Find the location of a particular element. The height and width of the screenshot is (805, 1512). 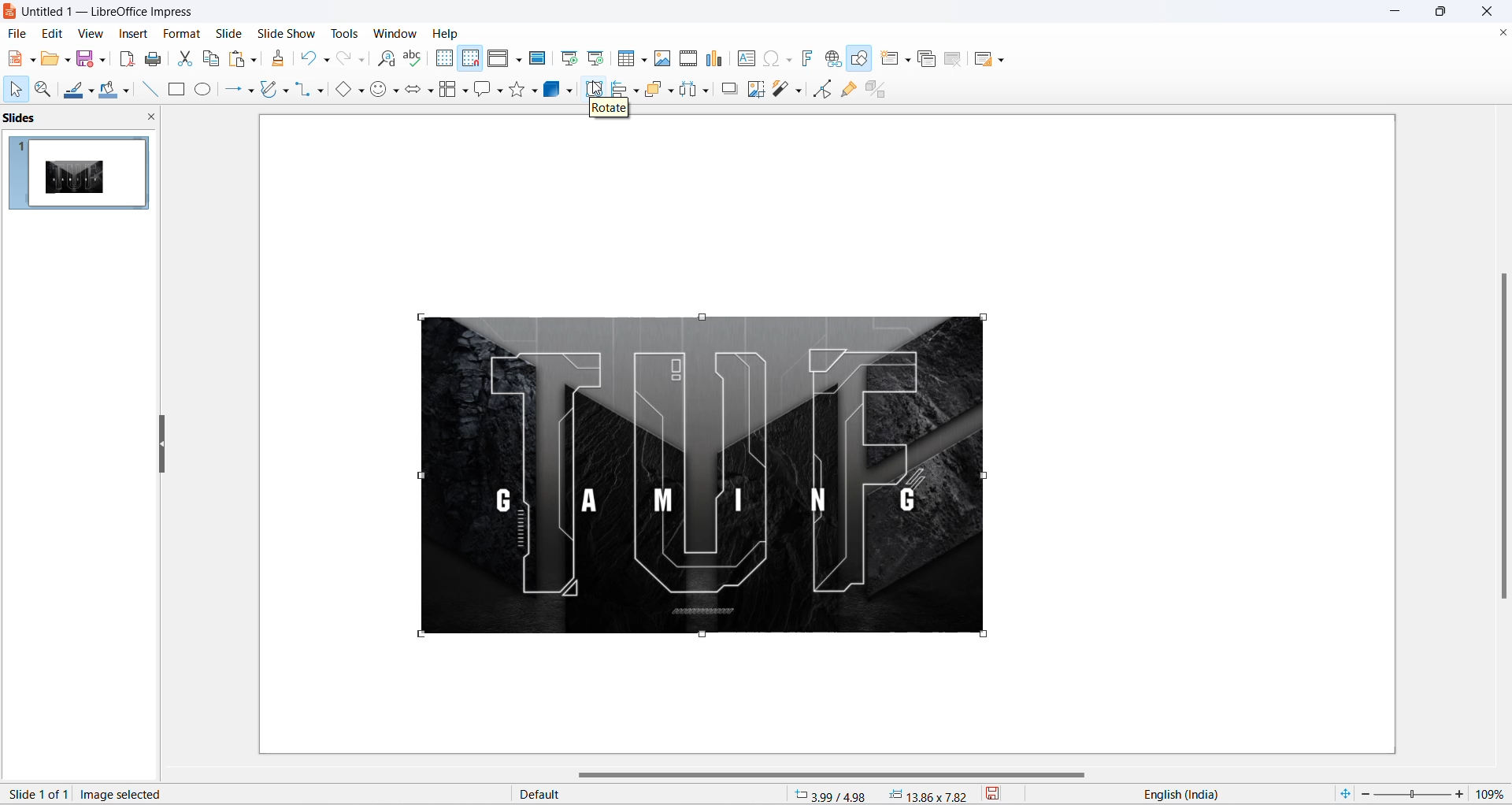

image selection markup is located at coordinates (419, 636).